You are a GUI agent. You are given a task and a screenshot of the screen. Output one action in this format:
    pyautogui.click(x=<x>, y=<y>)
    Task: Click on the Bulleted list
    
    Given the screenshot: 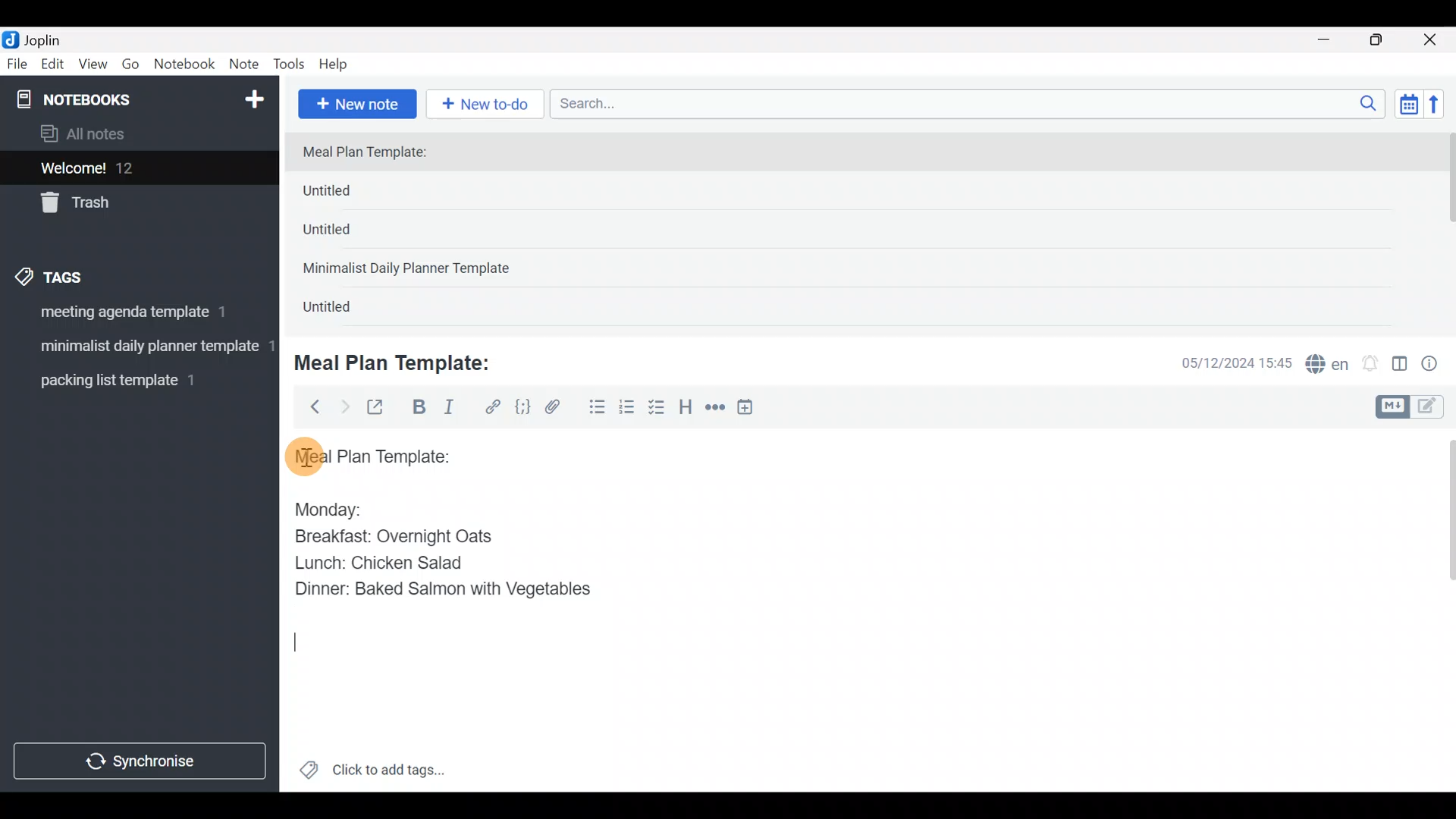 What is the action you would take?
    pyautogui.click(x=594, y=408)
    